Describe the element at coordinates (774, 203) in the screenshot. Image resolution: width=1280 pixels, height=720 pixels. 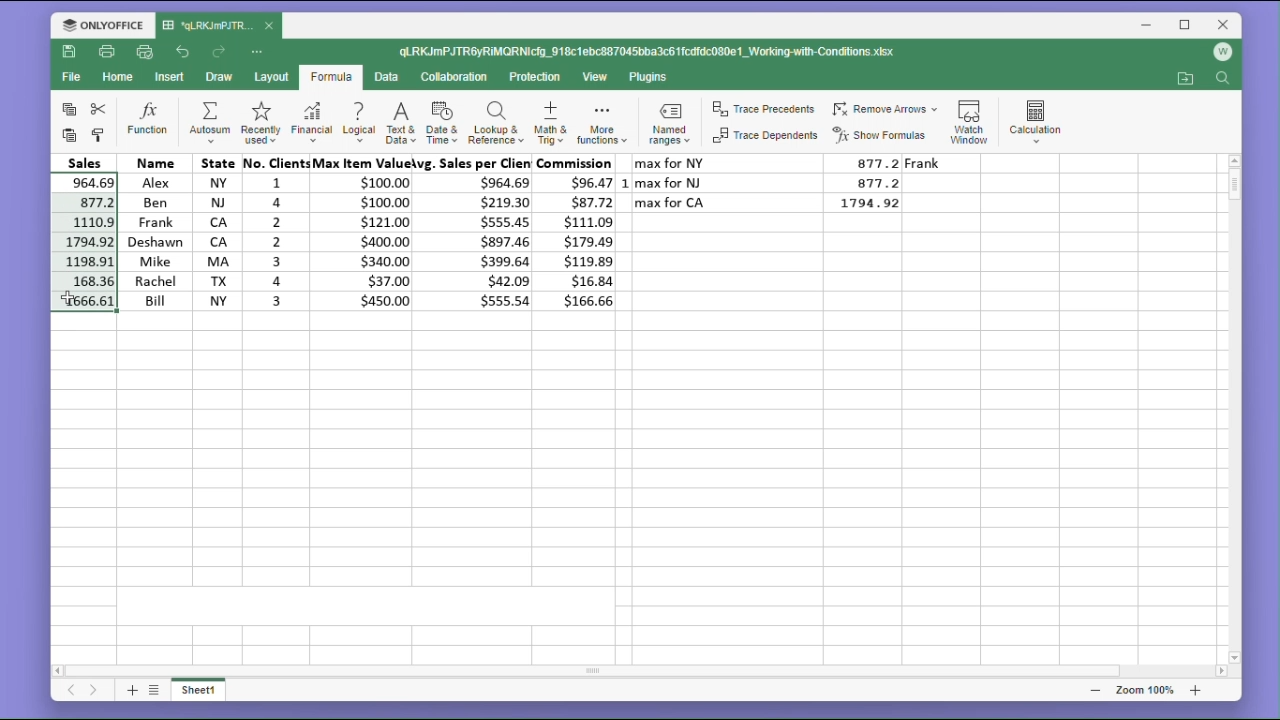
I see `max for CA 1794.92` at that location.